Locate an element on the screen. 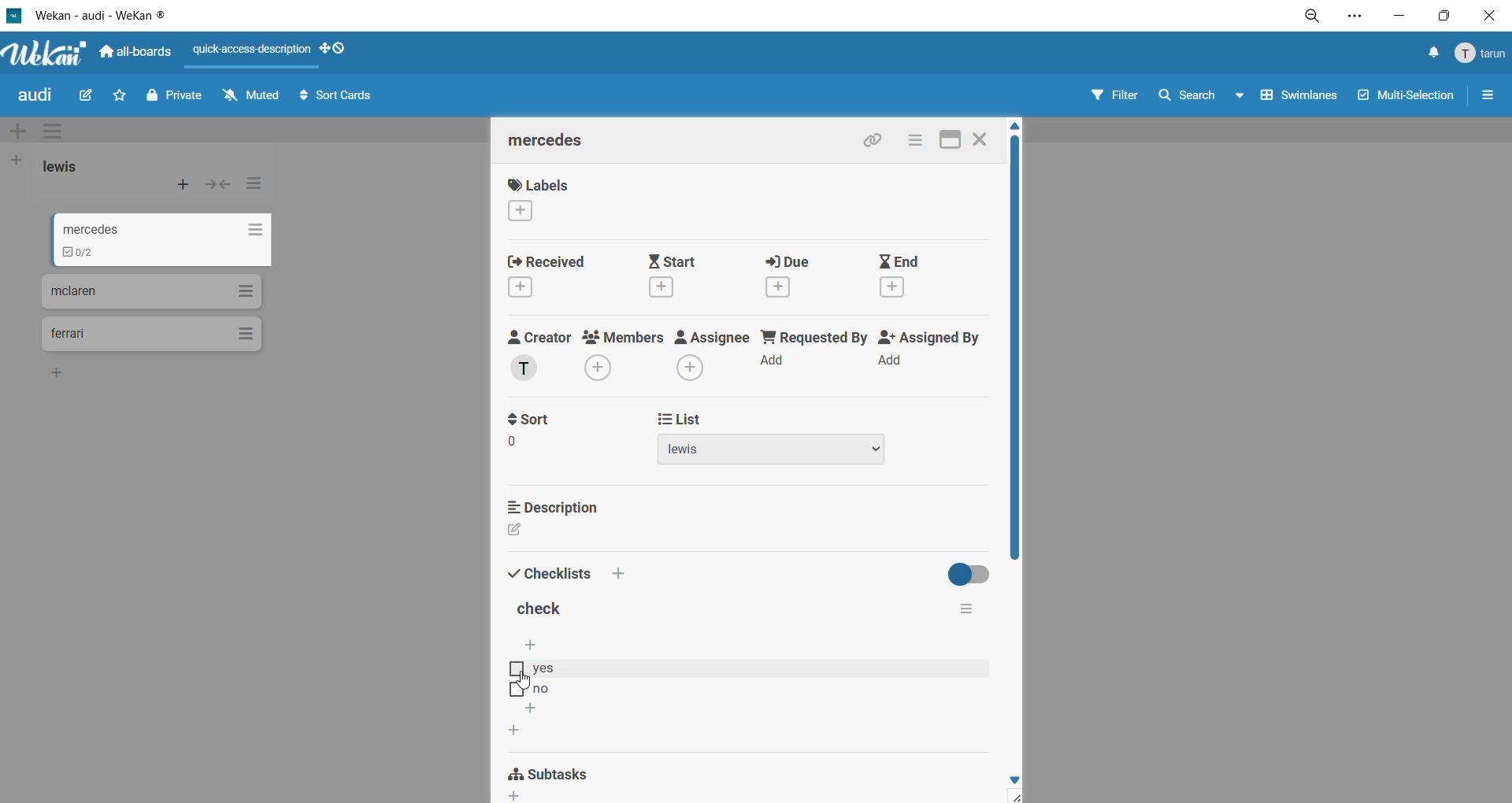 The image size is (1512, 803). checklist options is located at coordinates (967, 609).